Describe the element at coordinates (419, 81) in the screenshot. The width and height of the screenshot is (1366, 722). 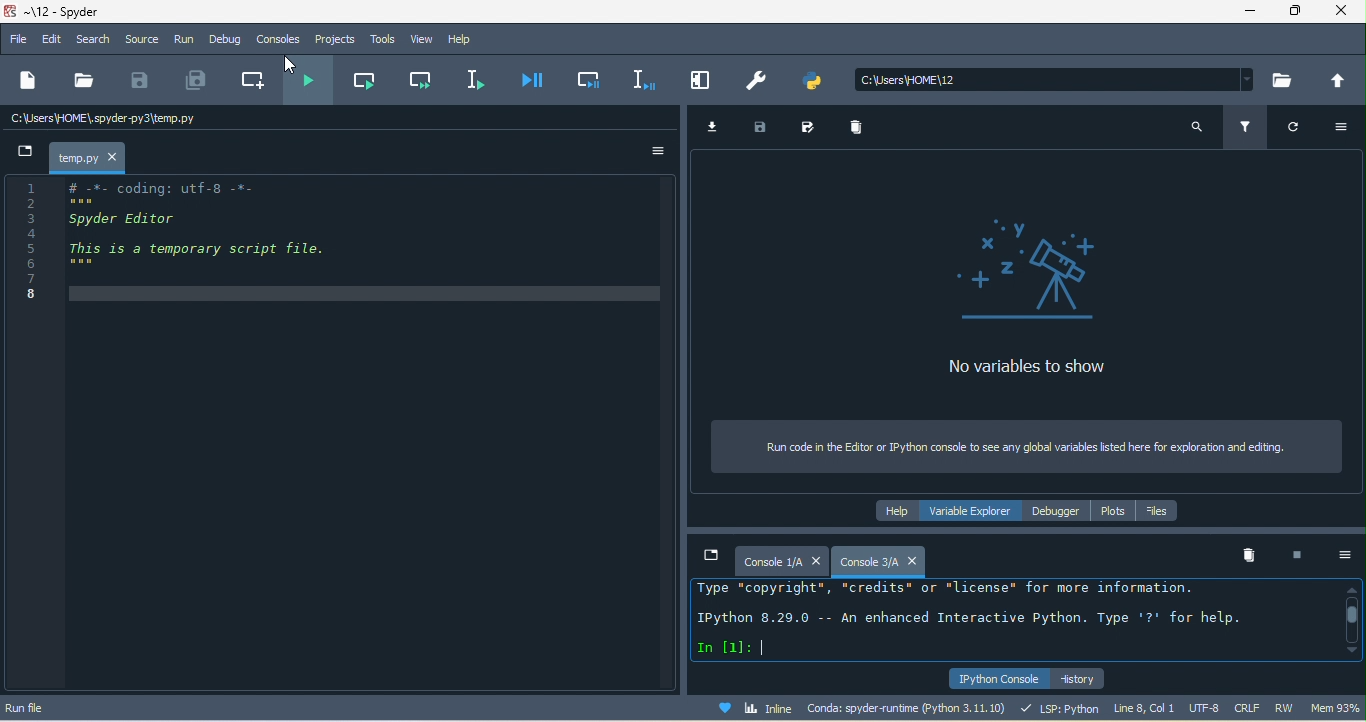
I see `run current cell and go to the next one` at that location.